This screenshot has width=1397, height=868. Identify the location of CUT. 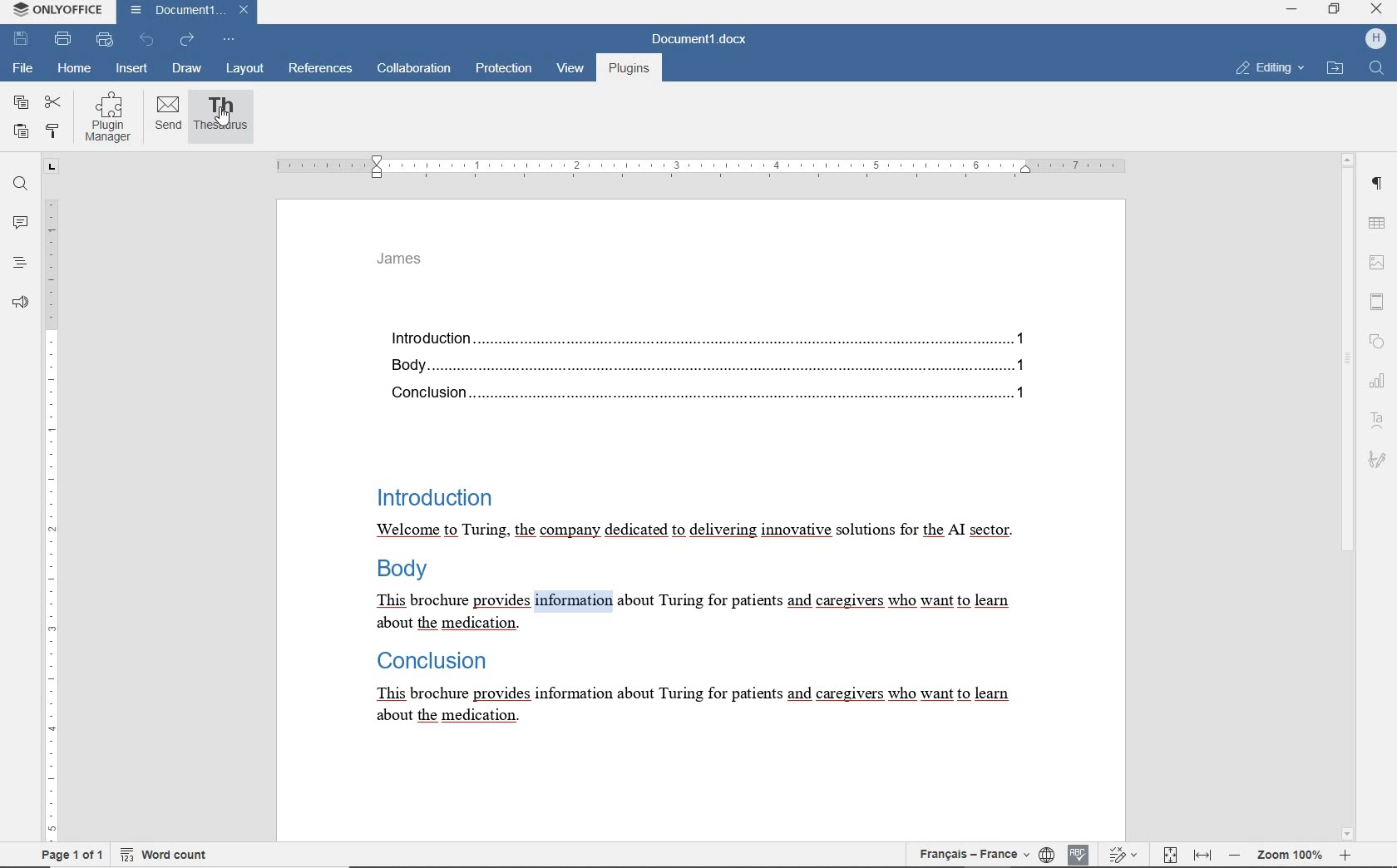
(54, 103).